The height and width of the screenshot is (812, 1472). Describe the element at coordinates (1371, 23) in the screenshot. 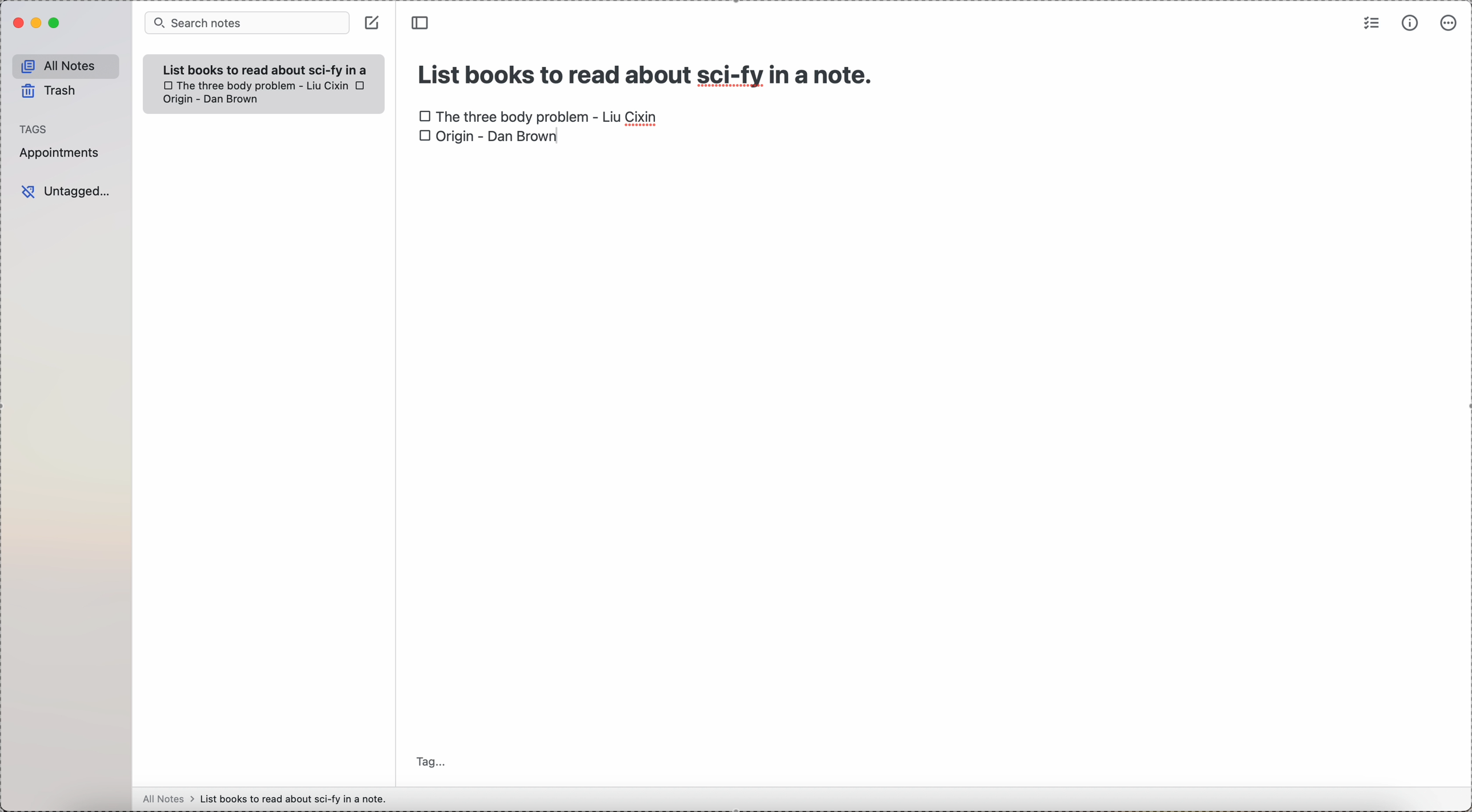

I see `check list` at that location.